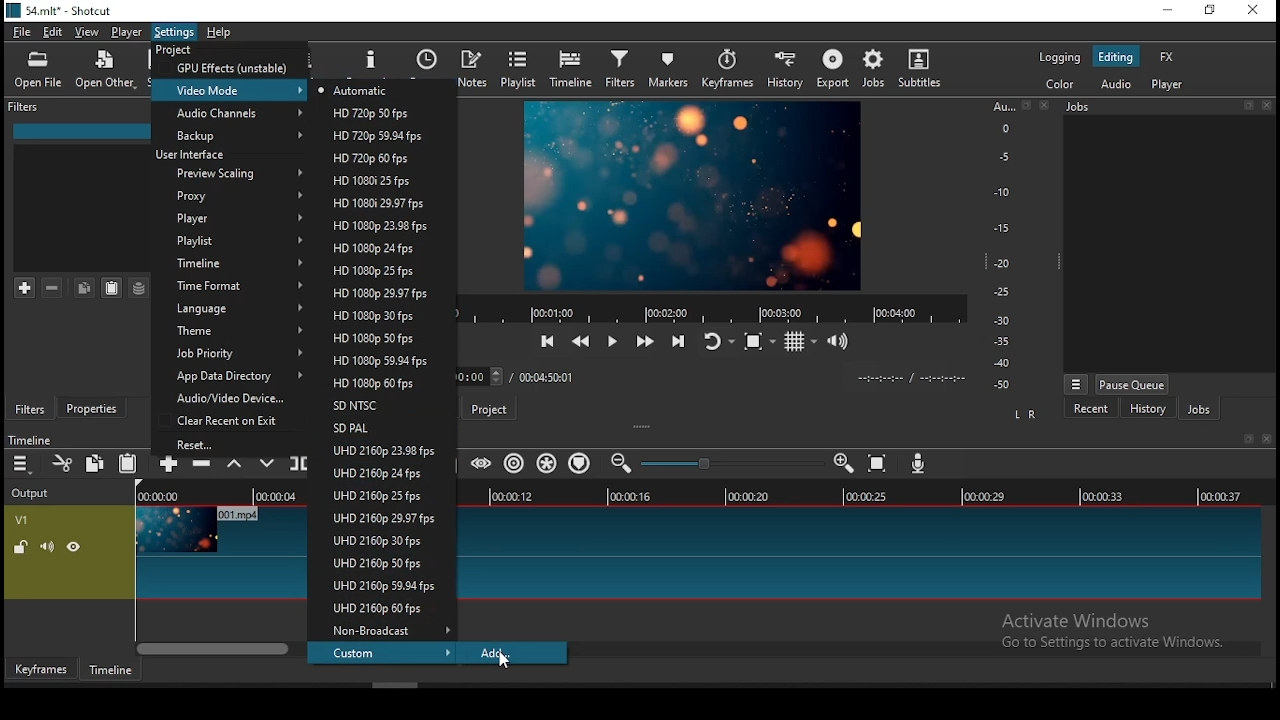  Describe the element at coordinates (379, 495) in the screenshot. I see `resolution option` at that location.